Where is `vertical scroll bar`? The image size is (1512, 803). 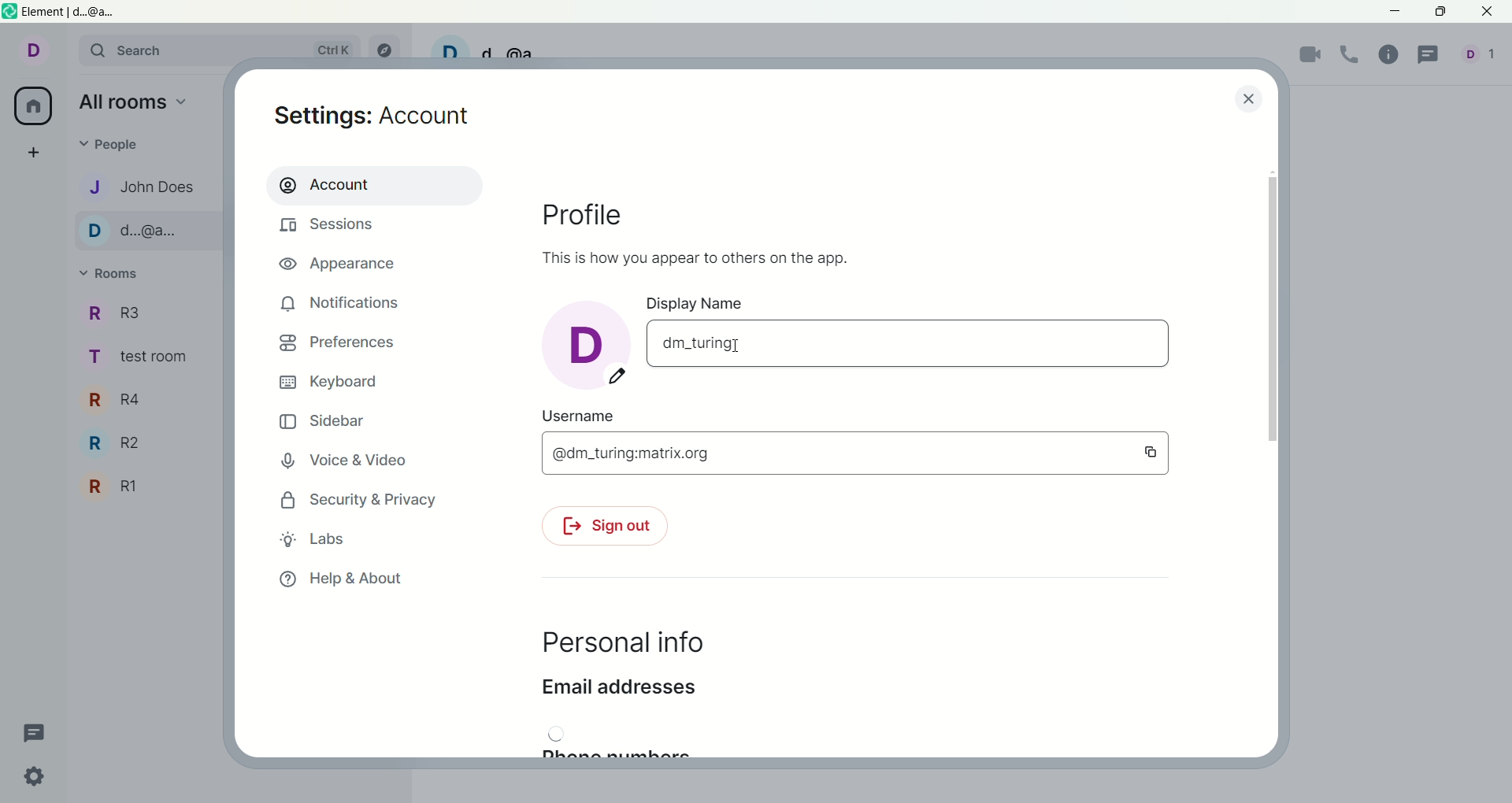
vertical scroll bar is located at coordinates (1274, 455).